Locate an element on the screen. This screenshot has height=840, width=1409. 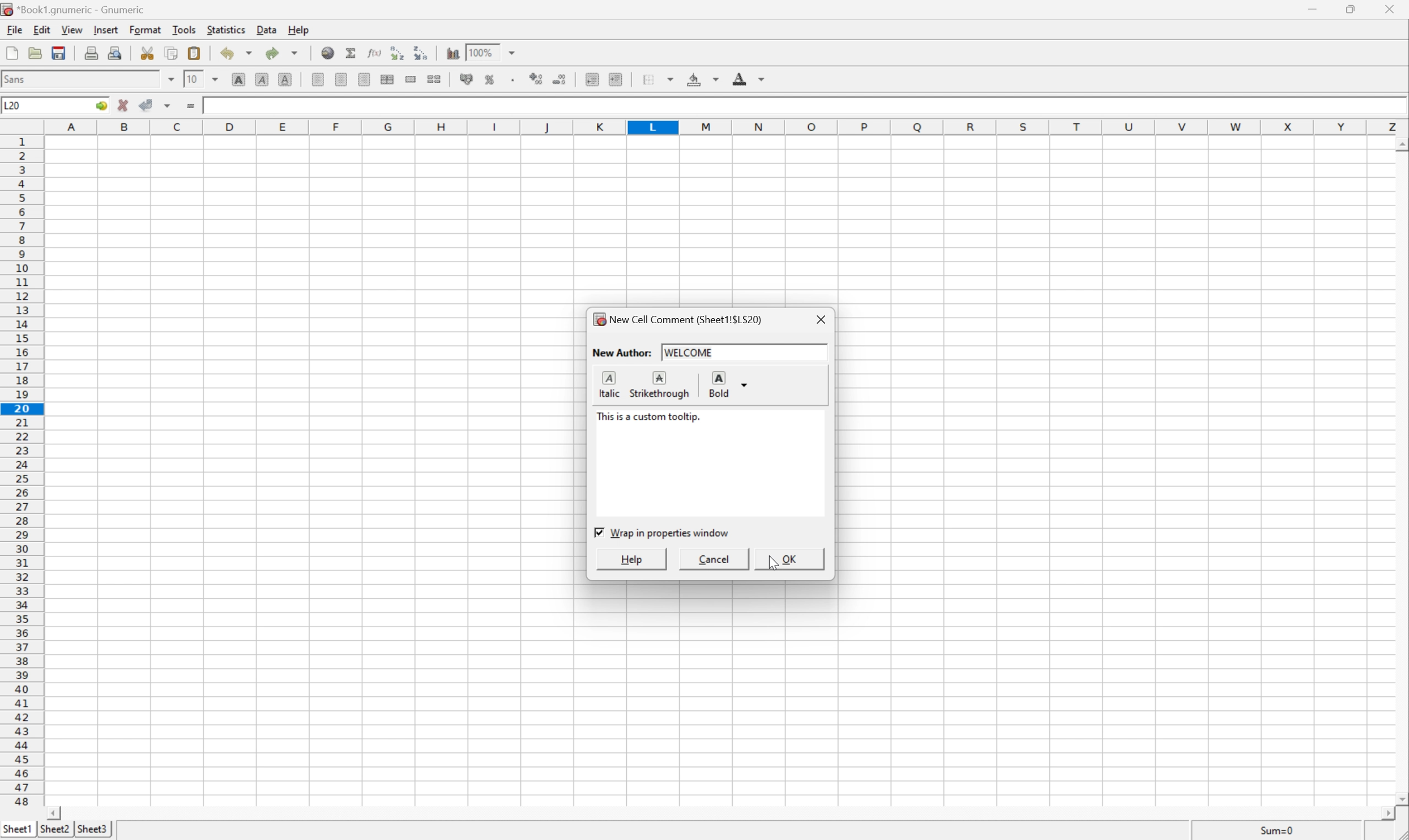
Background is located at coordinates (703, 79).